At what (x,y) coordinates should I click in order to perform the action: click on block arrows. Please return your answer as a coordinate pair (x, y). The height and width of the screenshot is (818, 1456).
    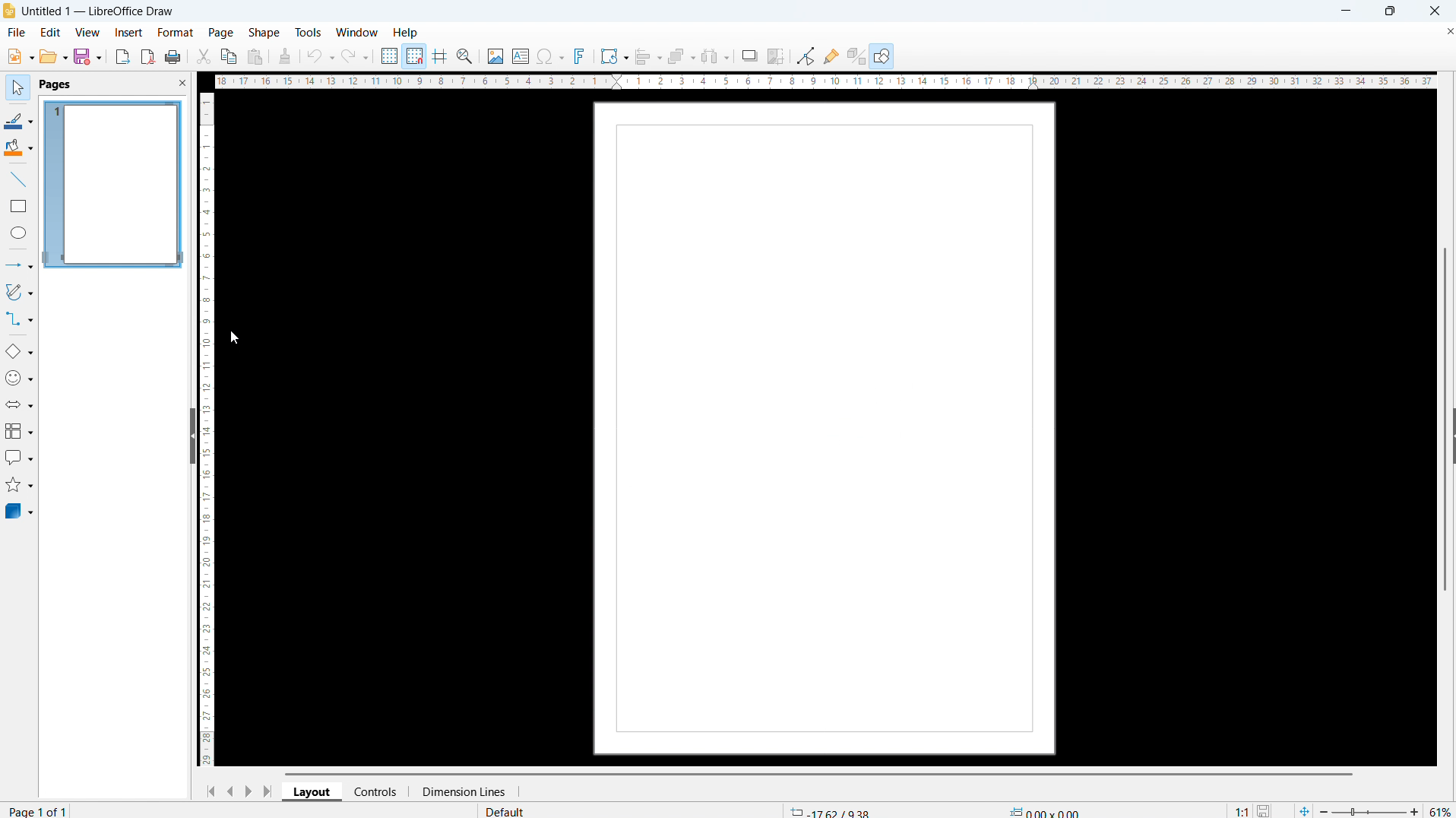
    Looking at the image, I should click on (19, 404).